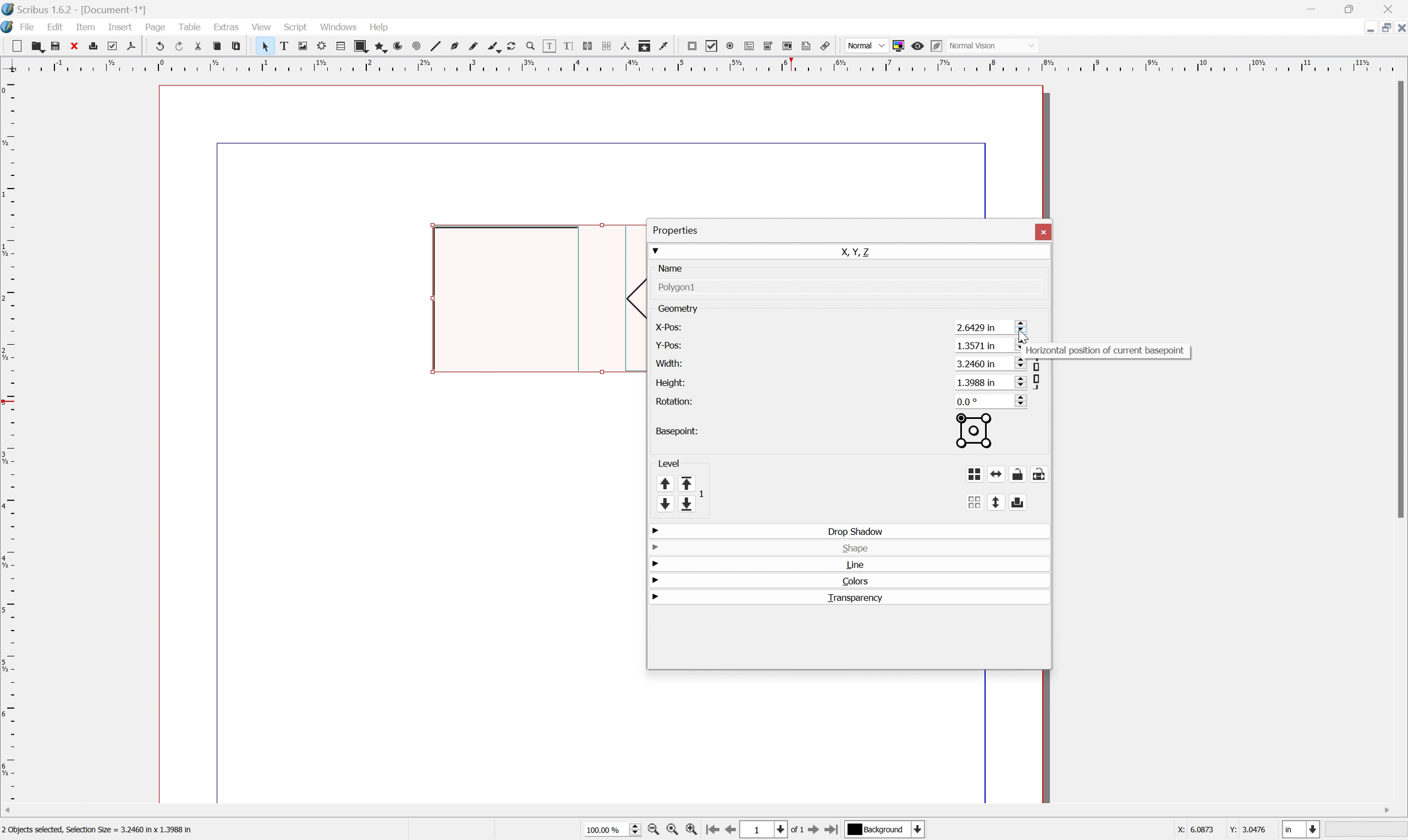 This screenshot has width=1408, height=840. I want to click on undo, so click(160, 47).